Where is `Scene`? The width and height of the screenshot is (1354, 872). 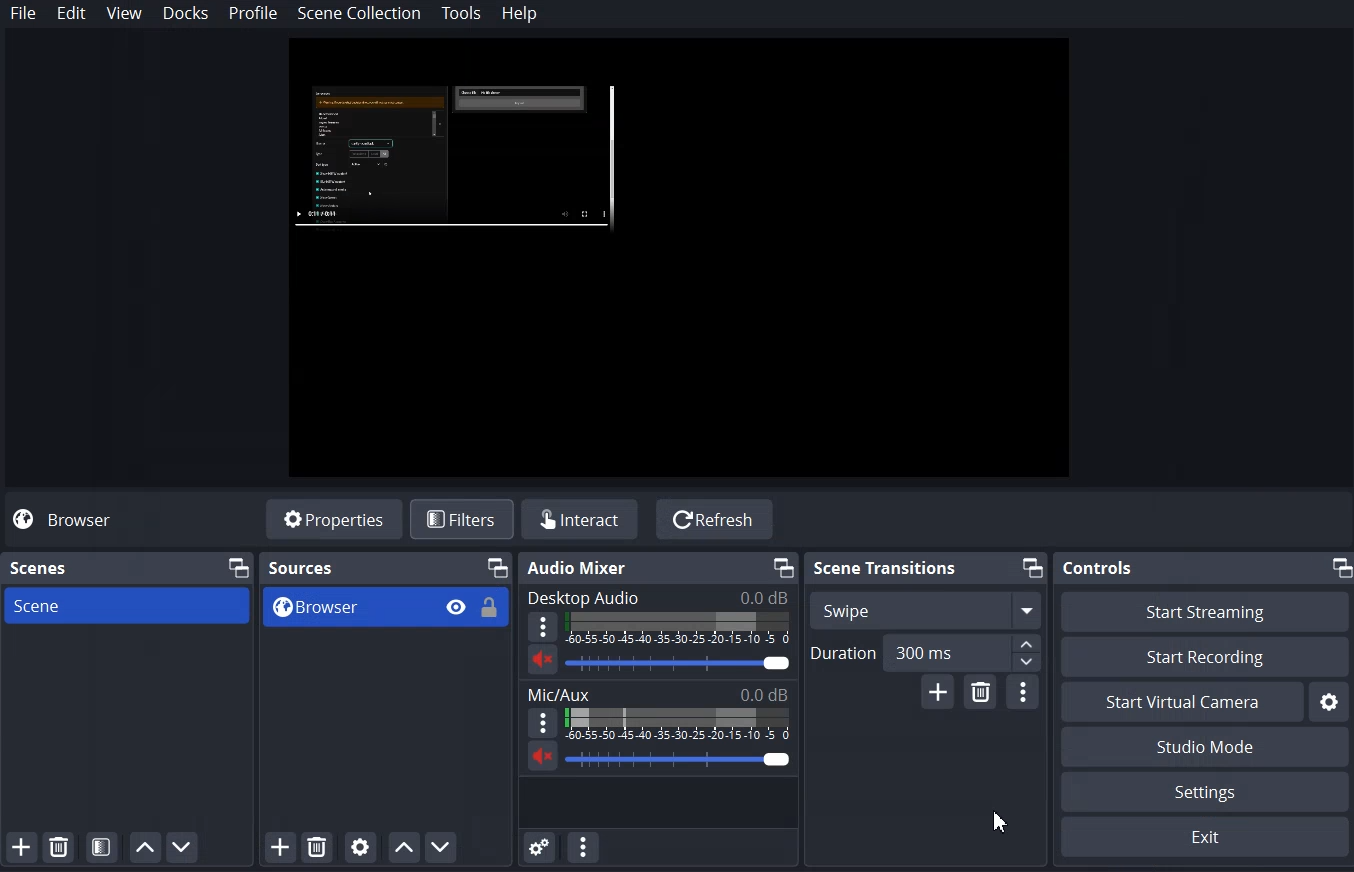 Scene is located at coordinates (126, 605).